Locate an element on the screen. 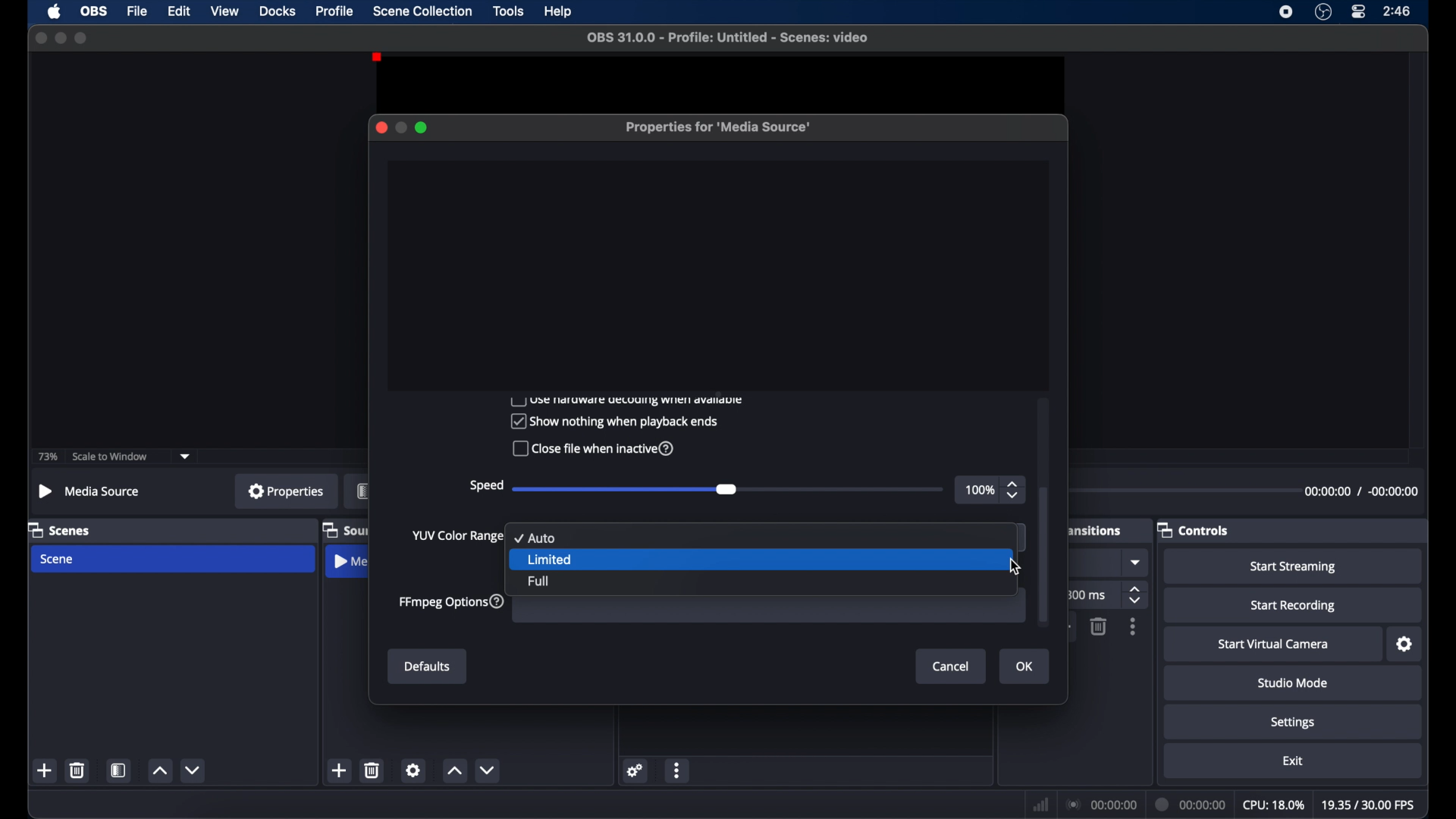 The height and width of the screenshot is (819, 1456). maximize is located at coordinates (422, 127).